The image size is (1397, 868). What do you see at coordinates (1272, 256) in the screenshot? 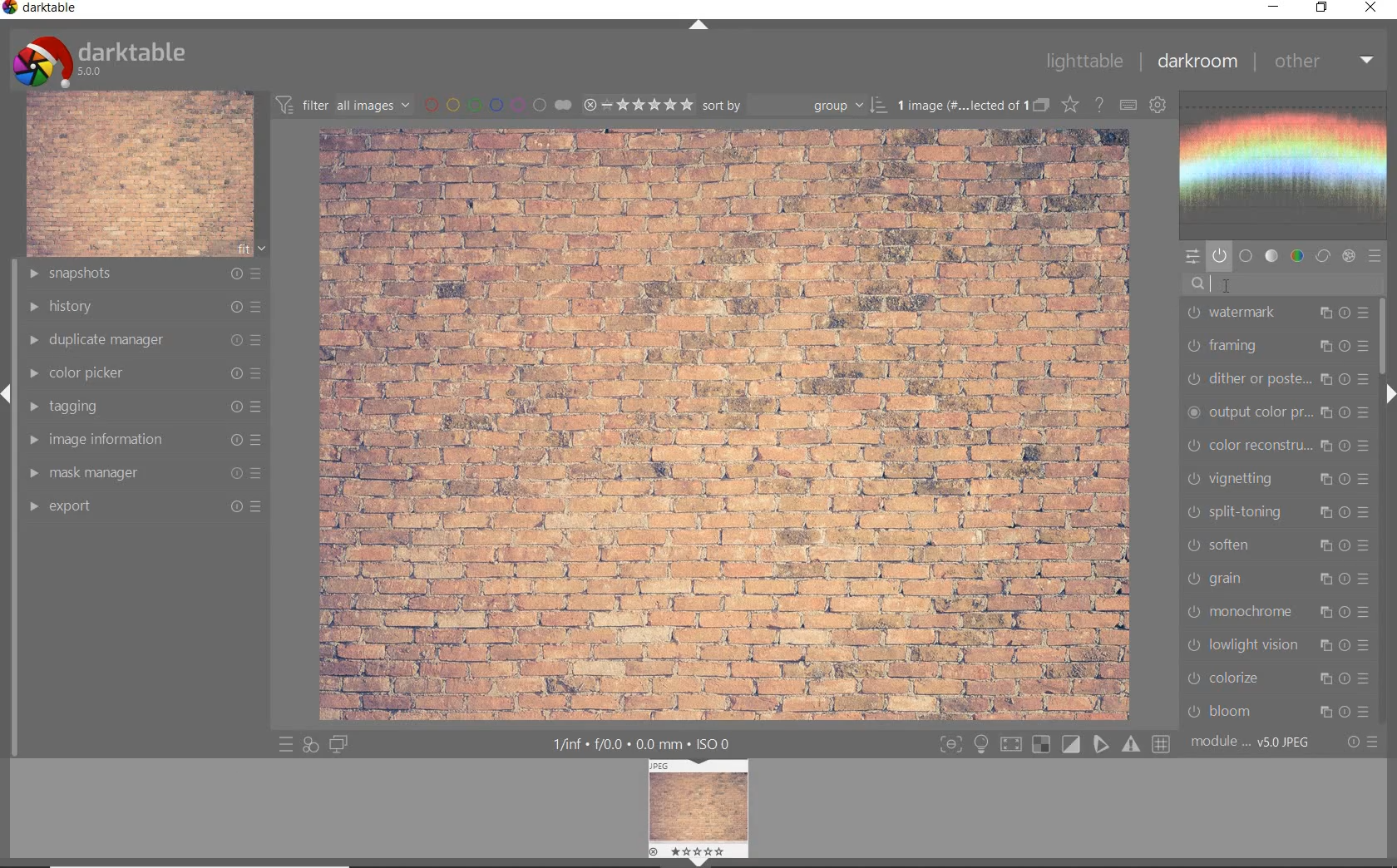
I see `tone ` at bounding box center [1272, 256].